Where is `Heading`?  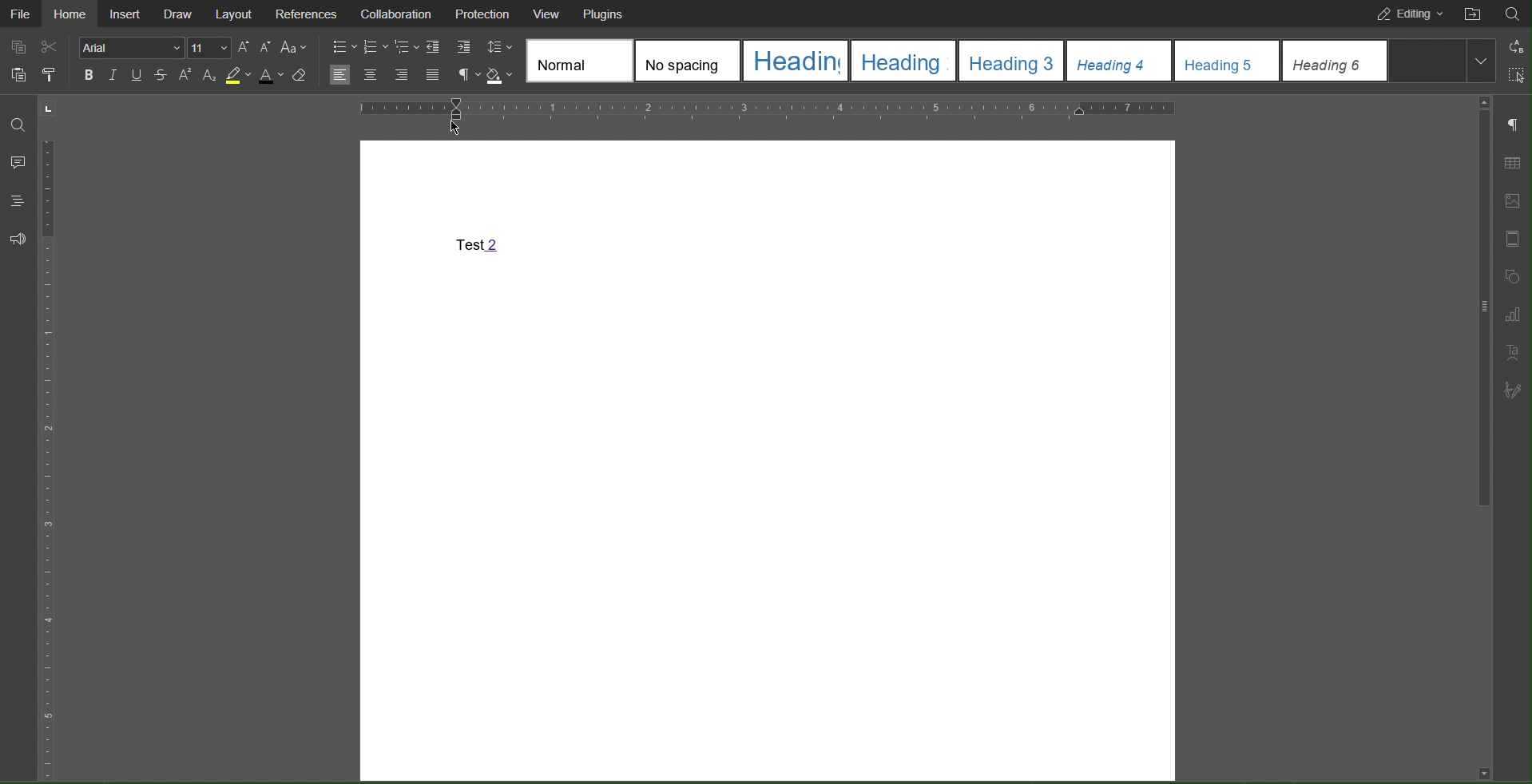 Heading is located at coordinates (16, 201).